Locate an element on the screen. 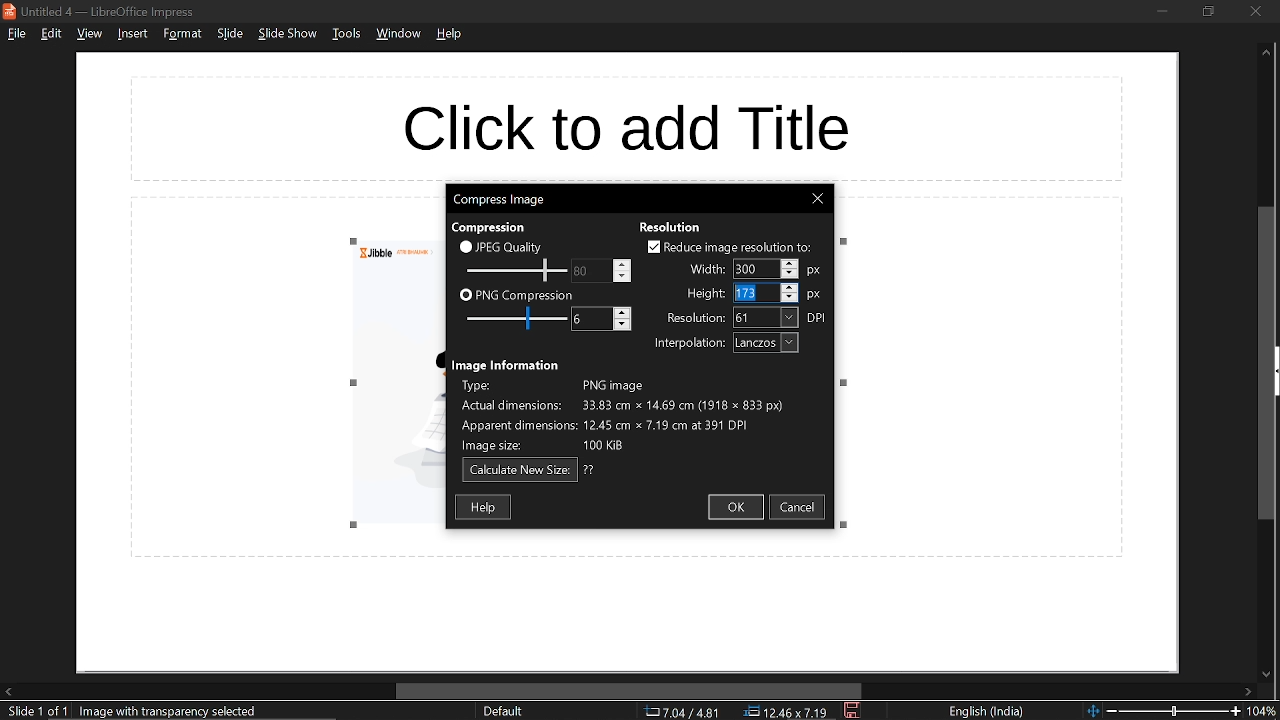 This screenshot has width=1280, height=720. help is located at coordinates (450, 38).